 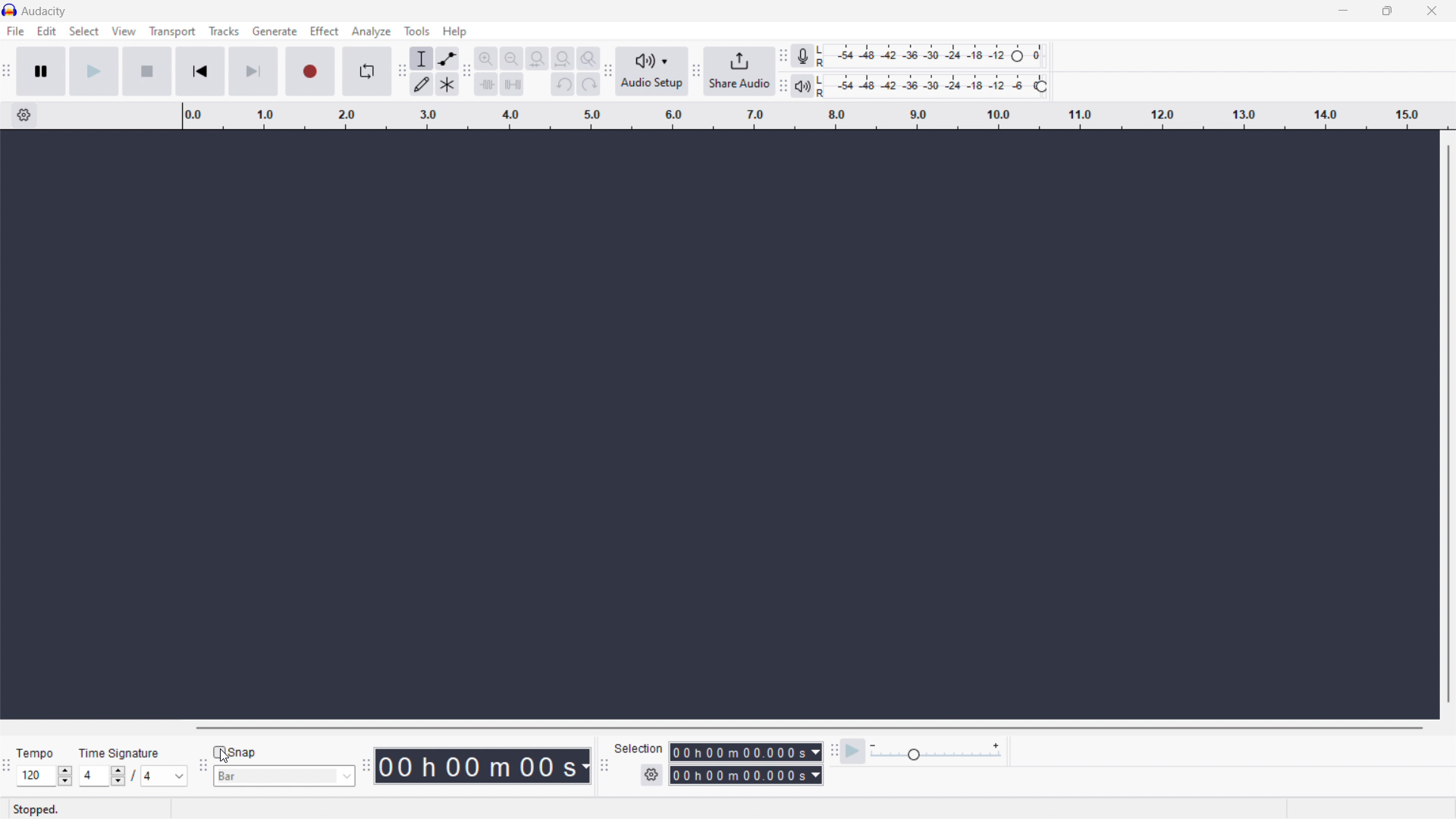 I want to click on play at speed toolbar, so click(x=836, y=752).